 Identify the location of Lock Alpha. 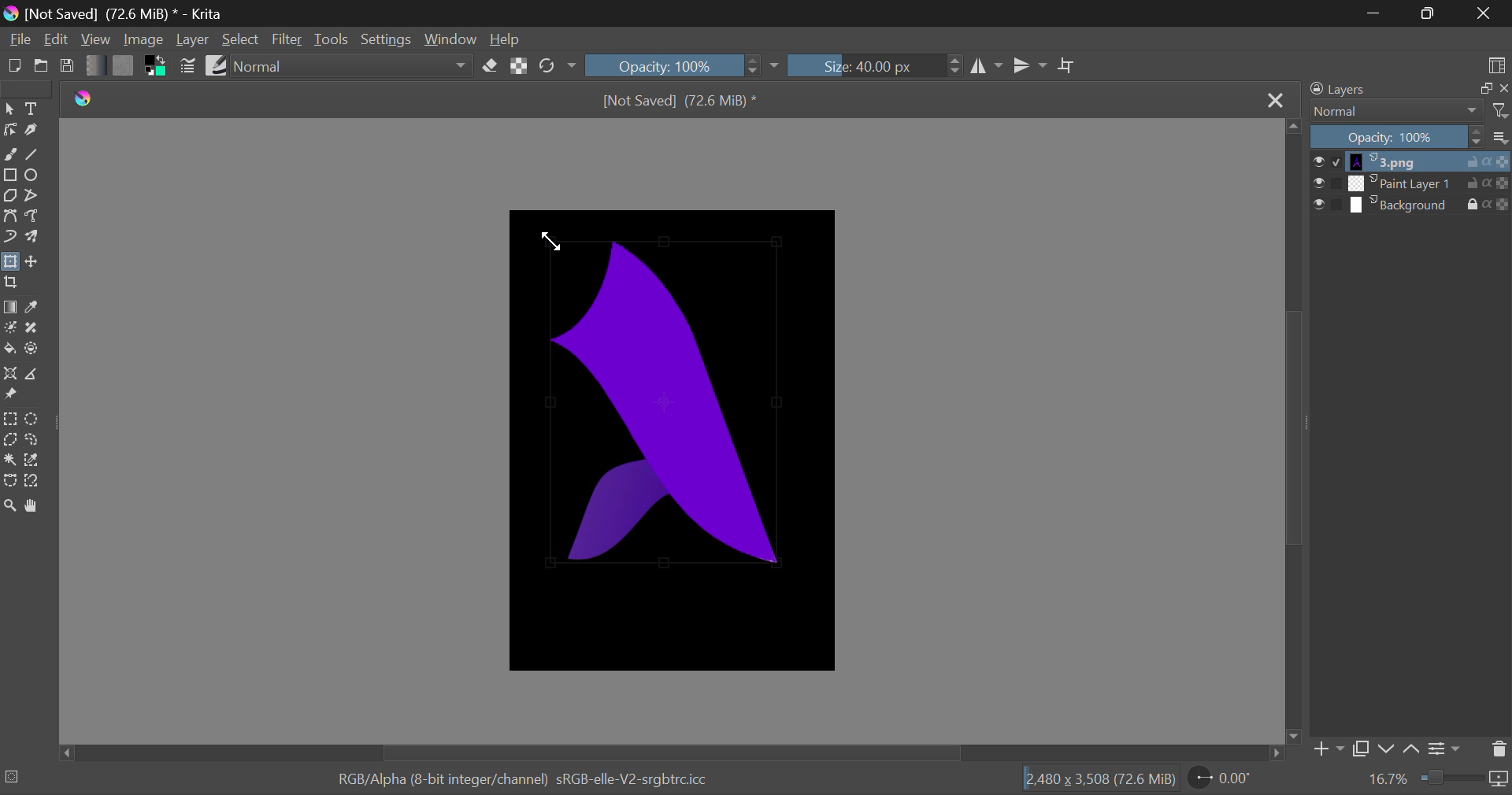
(519, 67).